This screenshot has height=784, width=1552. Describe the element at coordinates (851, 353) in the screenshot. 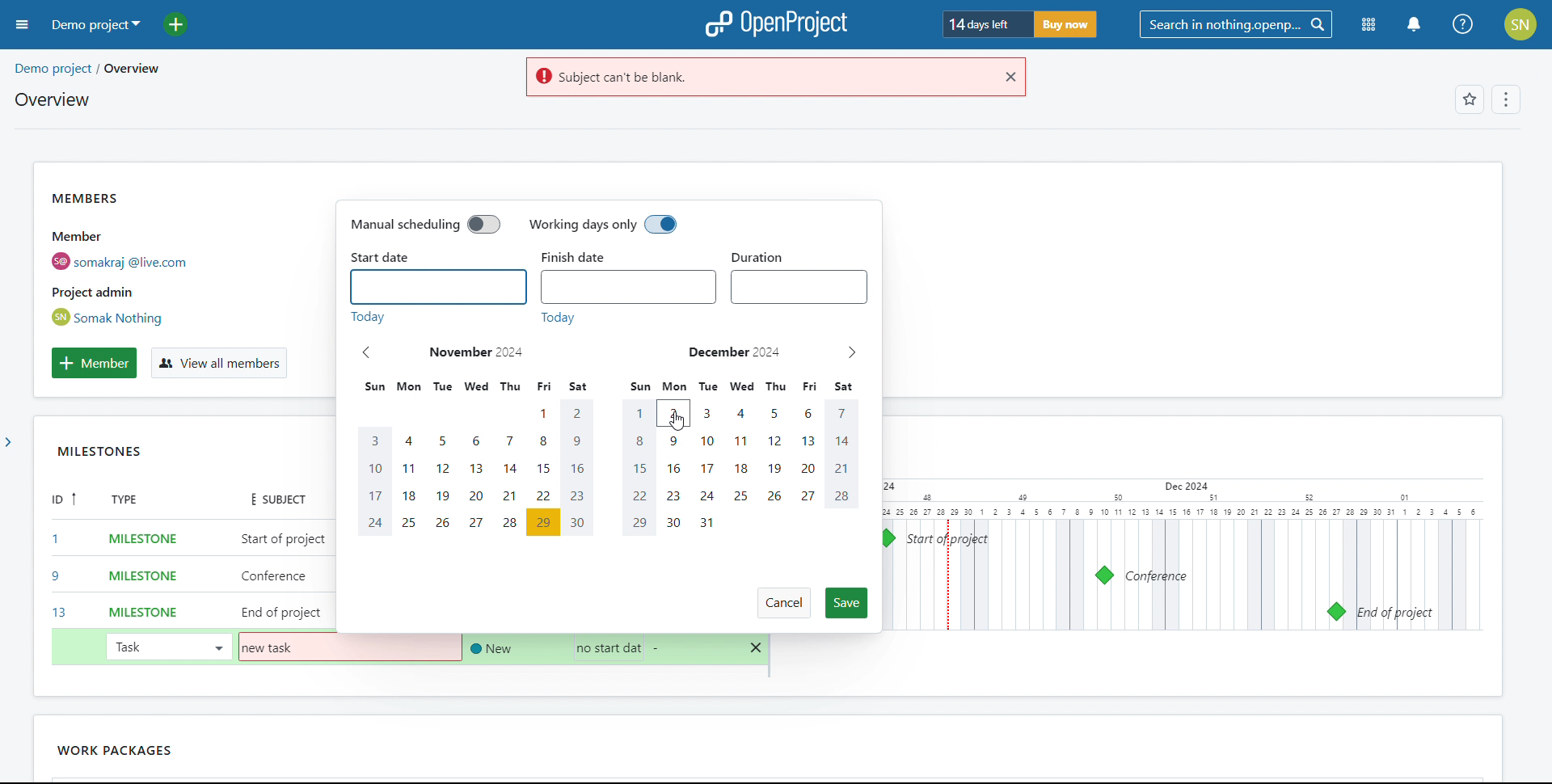

I see `next month` at that location.